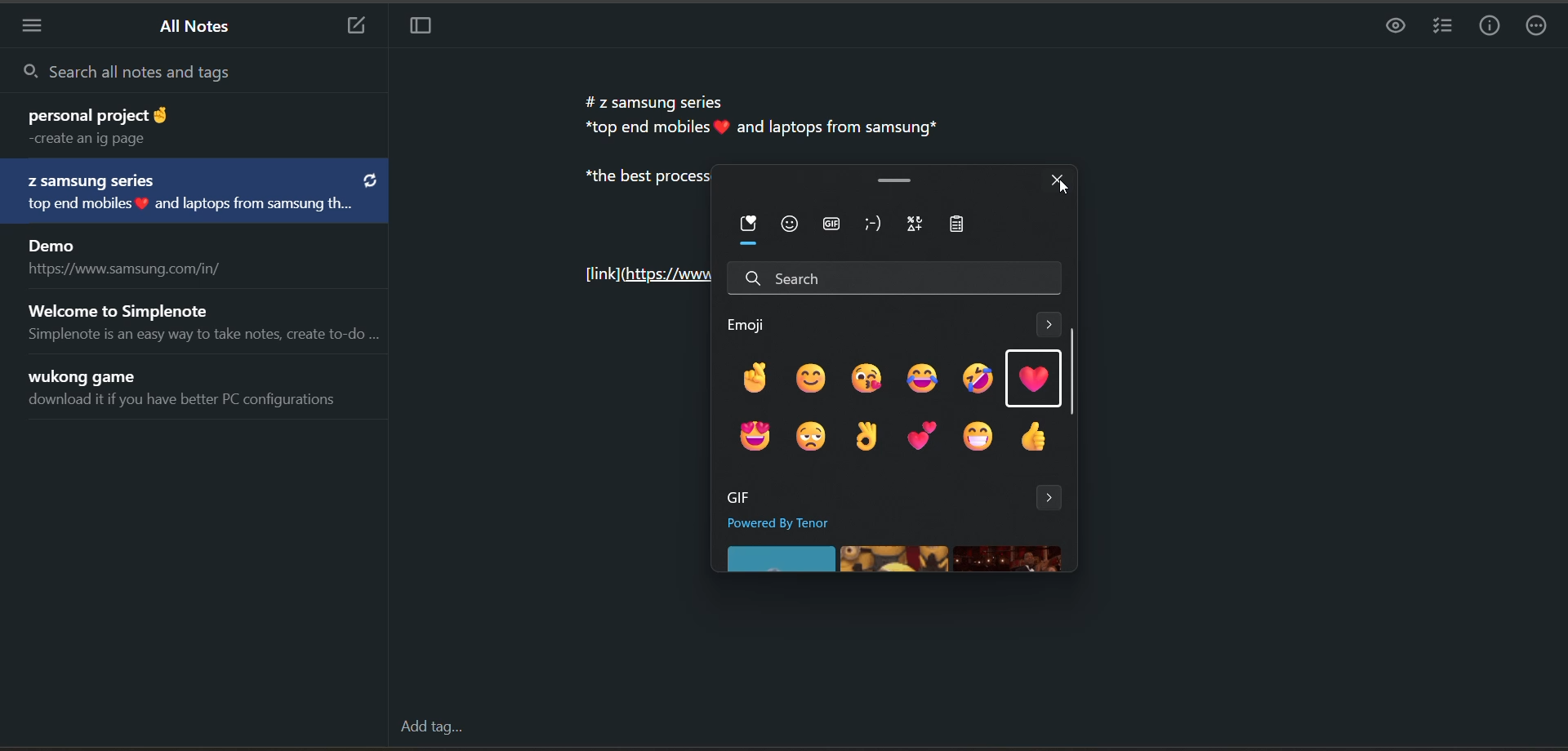 Image resolution: width=1568 pixels, height=751 pixels. What do you see at coordinates (130, 259) in the screenshot?
I see `note title and preview` at bounding box center [130, 259].